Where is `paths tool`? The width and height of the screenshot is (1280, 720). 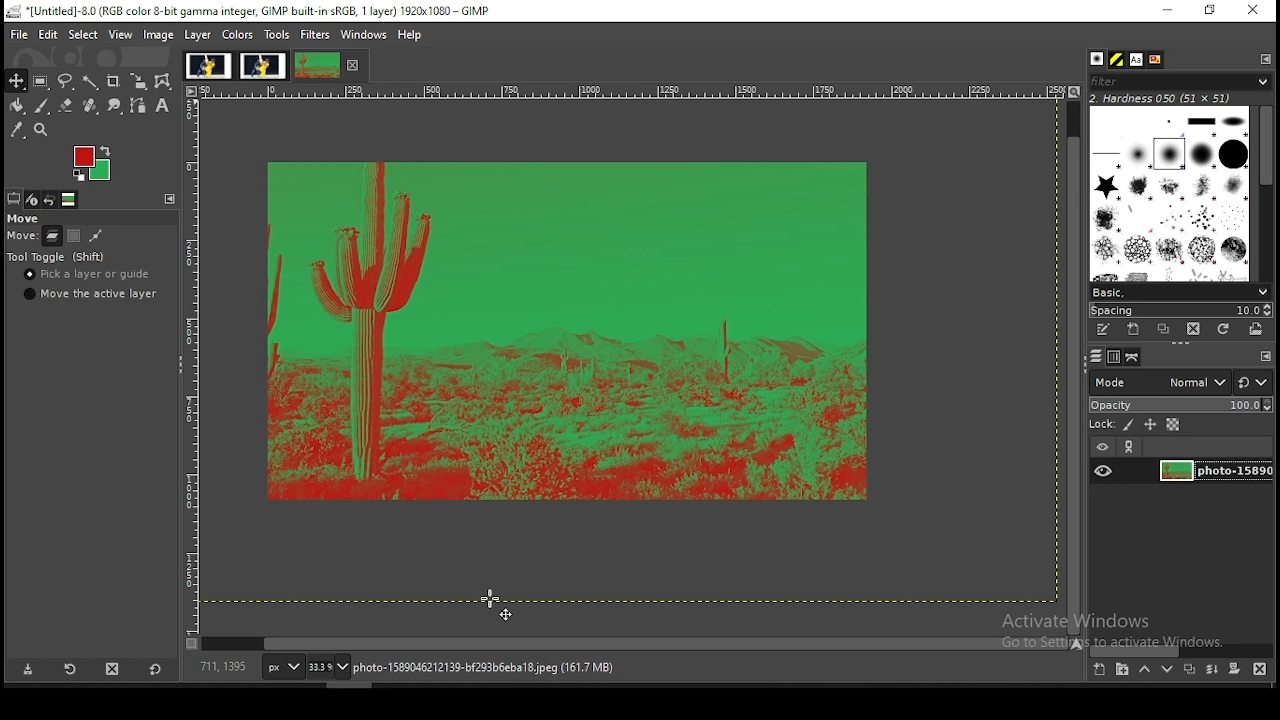 paths tool is located at coordinates (138, 105).